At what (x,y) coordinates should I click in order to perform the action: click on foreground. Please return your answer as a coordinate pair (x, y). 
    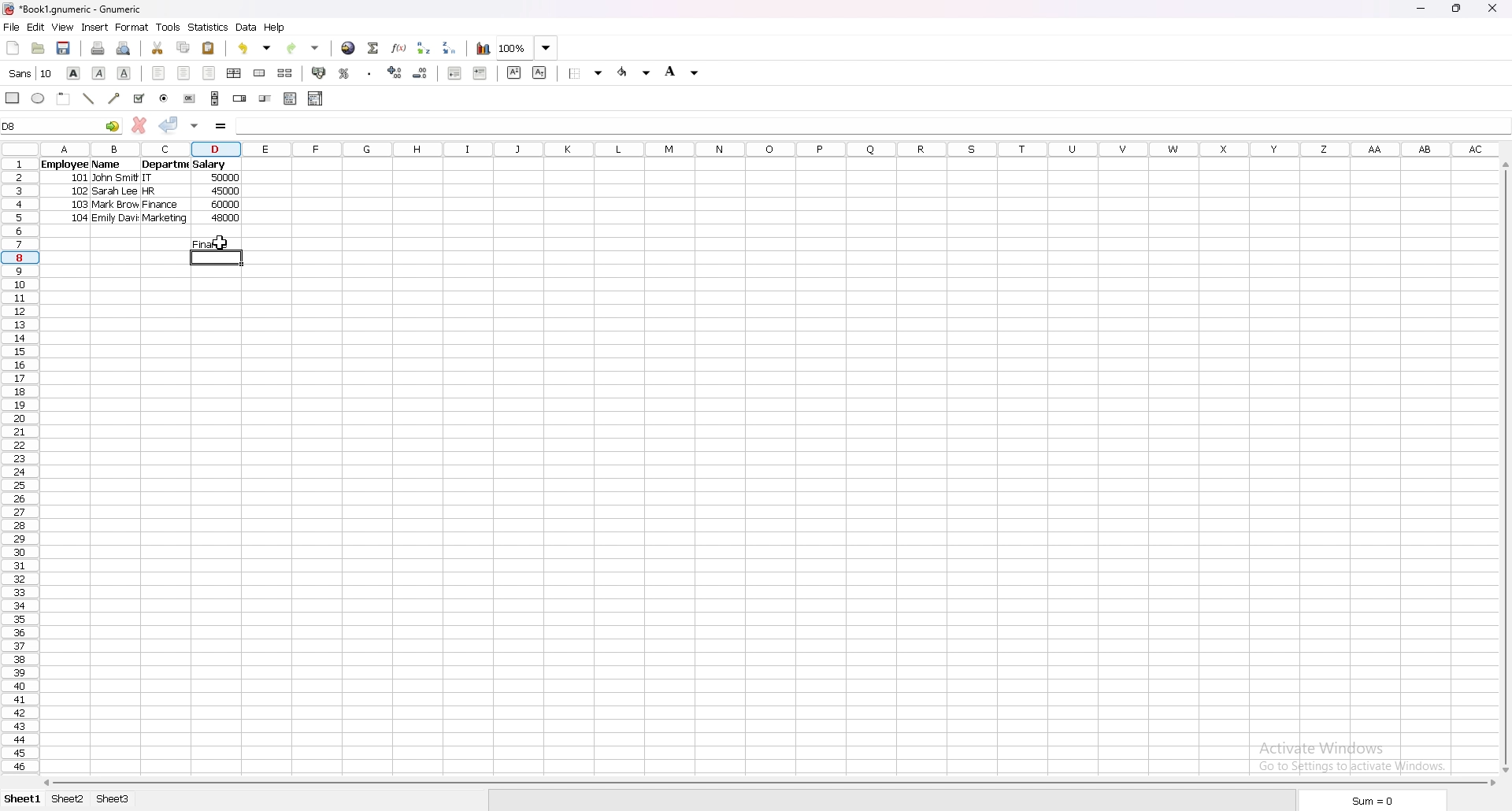
    Looking at the image, I should click on (635, 72).